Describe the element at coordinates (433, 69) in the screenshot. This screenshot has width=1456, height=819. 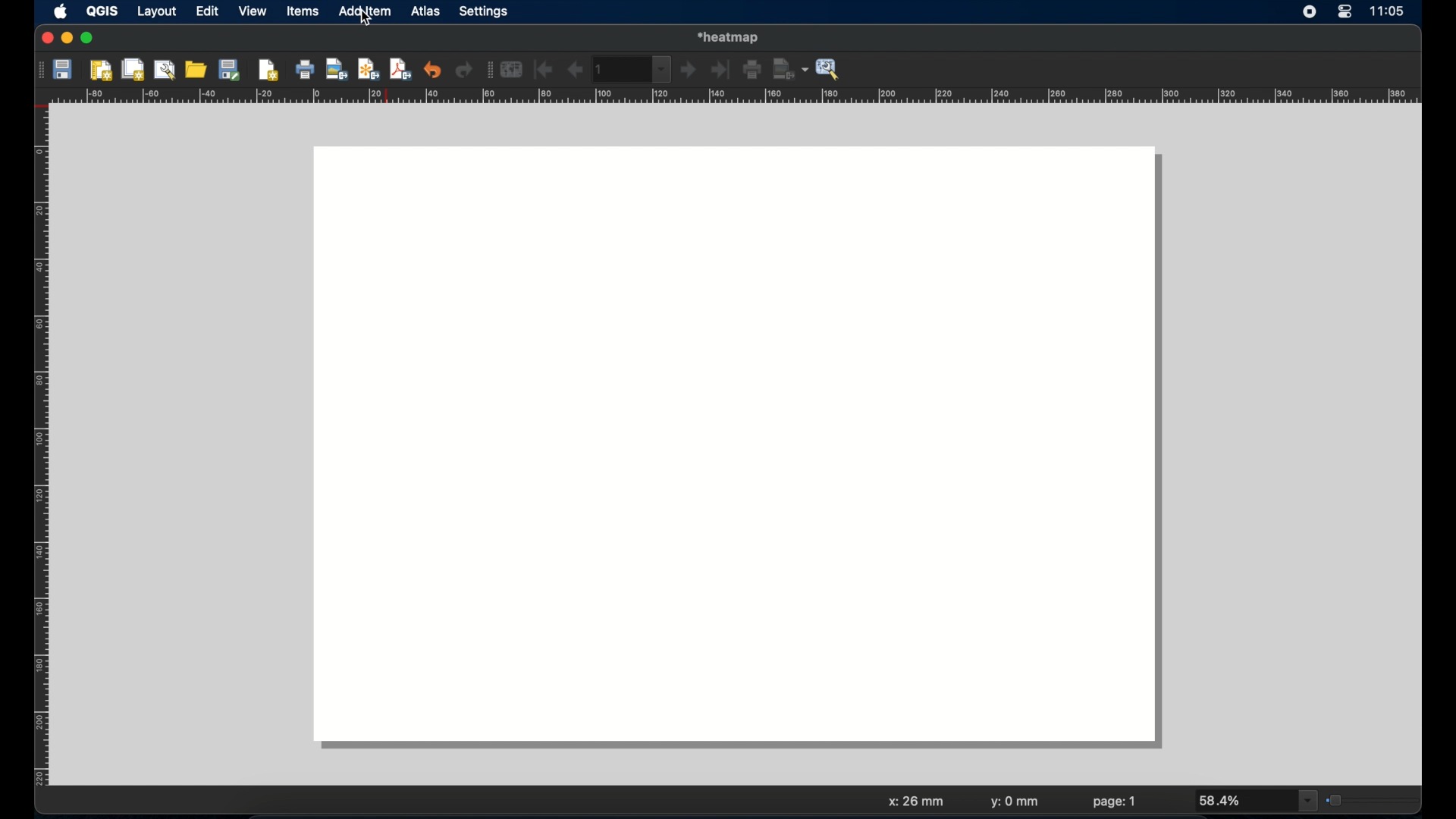
I see `uno` at that location.